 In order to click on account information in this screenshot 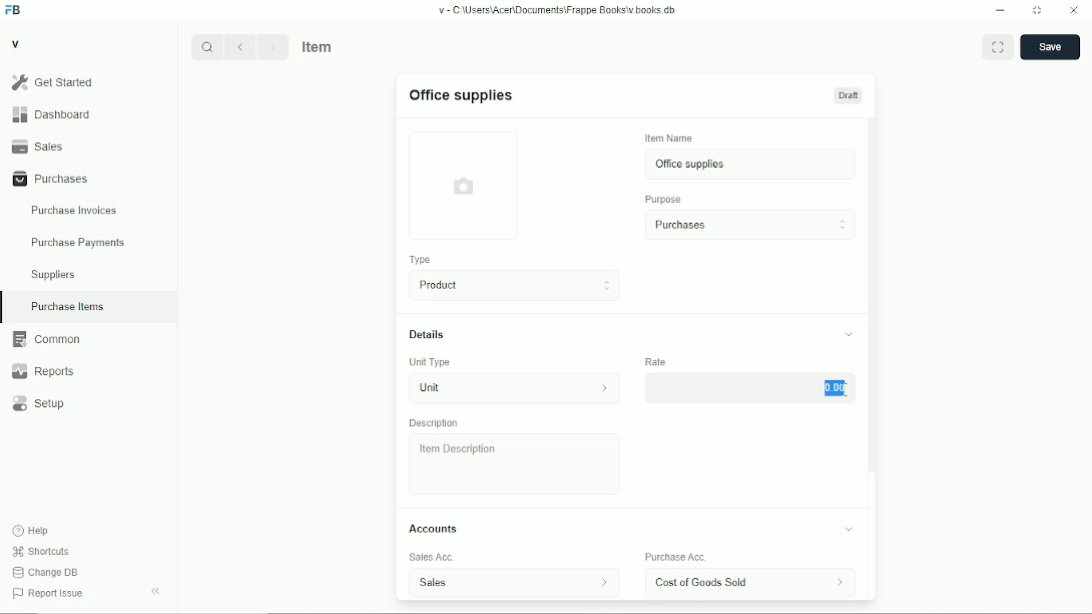, I will do `click(839, 582)`.